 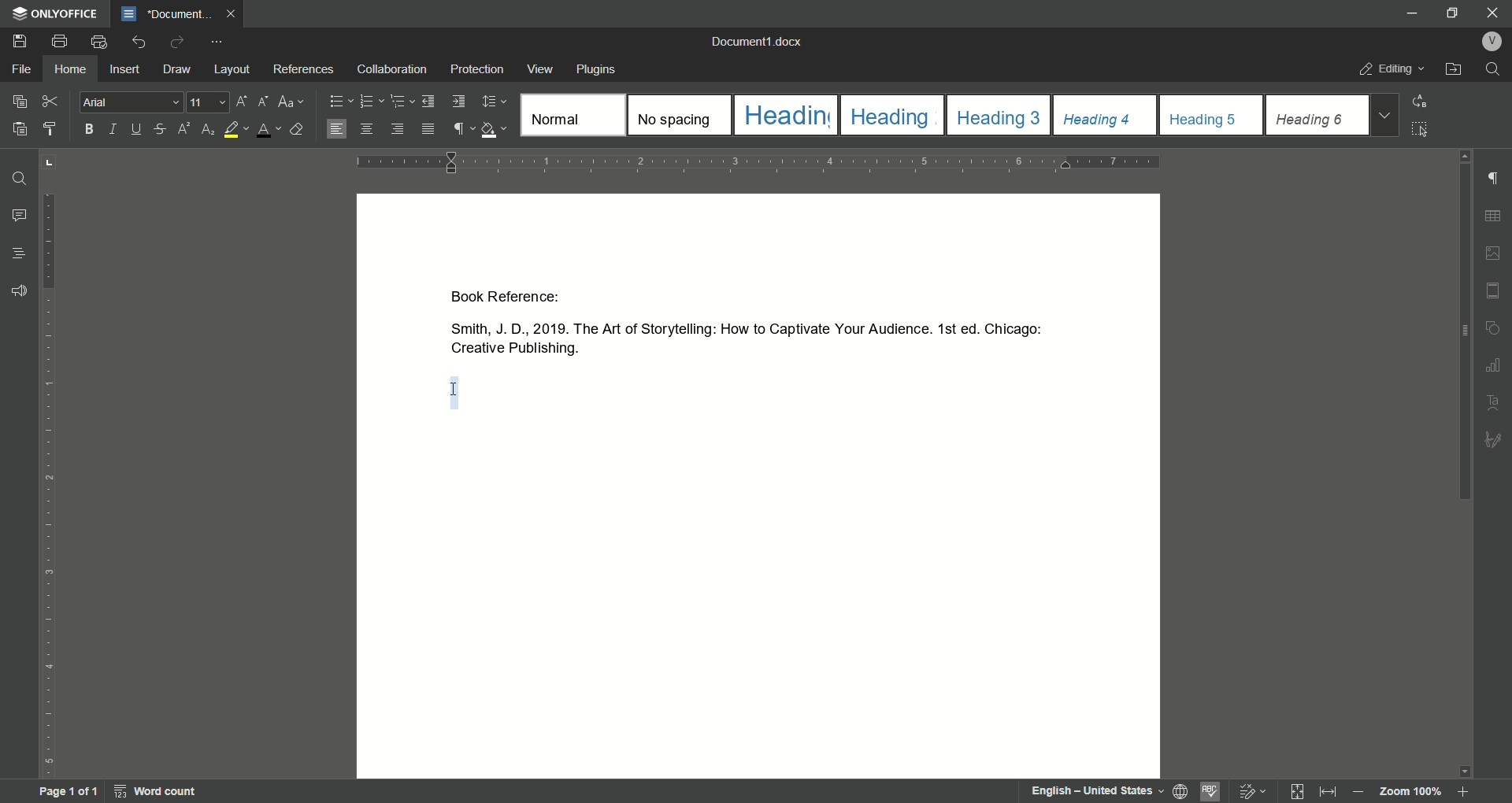 I want to click on headings, so click(x=1212, y=115).